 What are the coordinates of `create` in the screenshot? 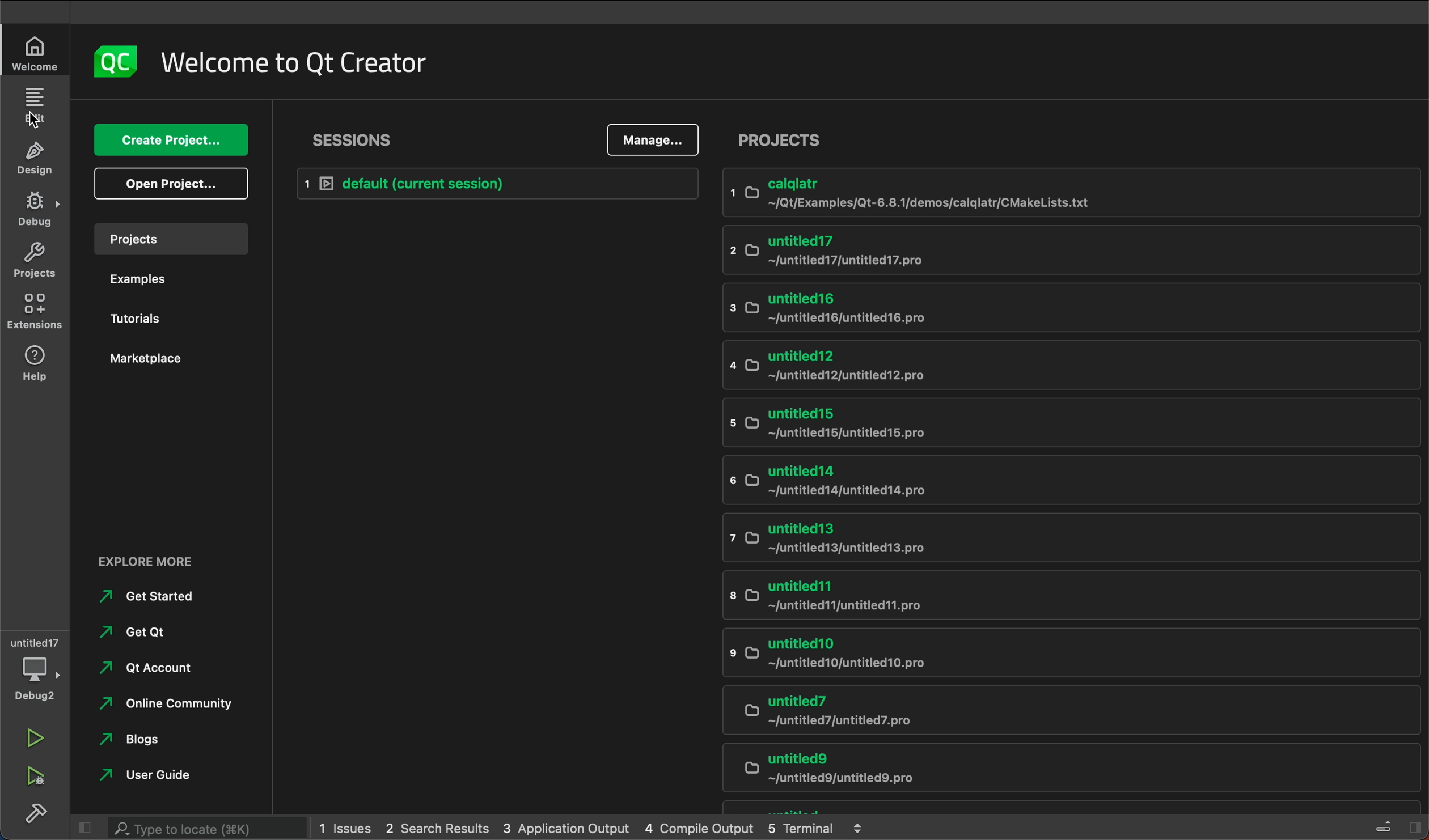 It's located at (173, 141).